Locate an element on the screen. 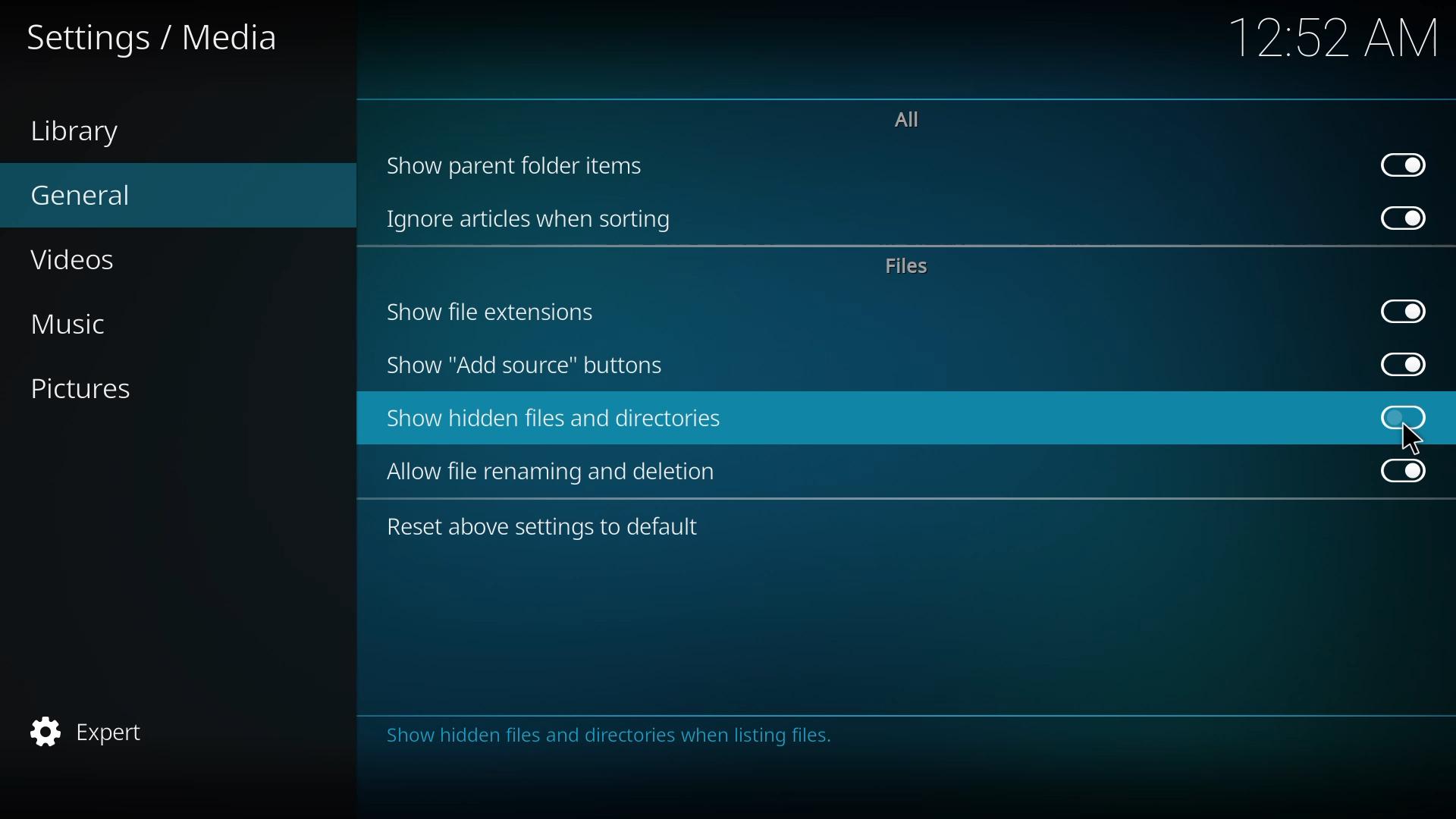  enabled is located at coordinates (1404, 216).